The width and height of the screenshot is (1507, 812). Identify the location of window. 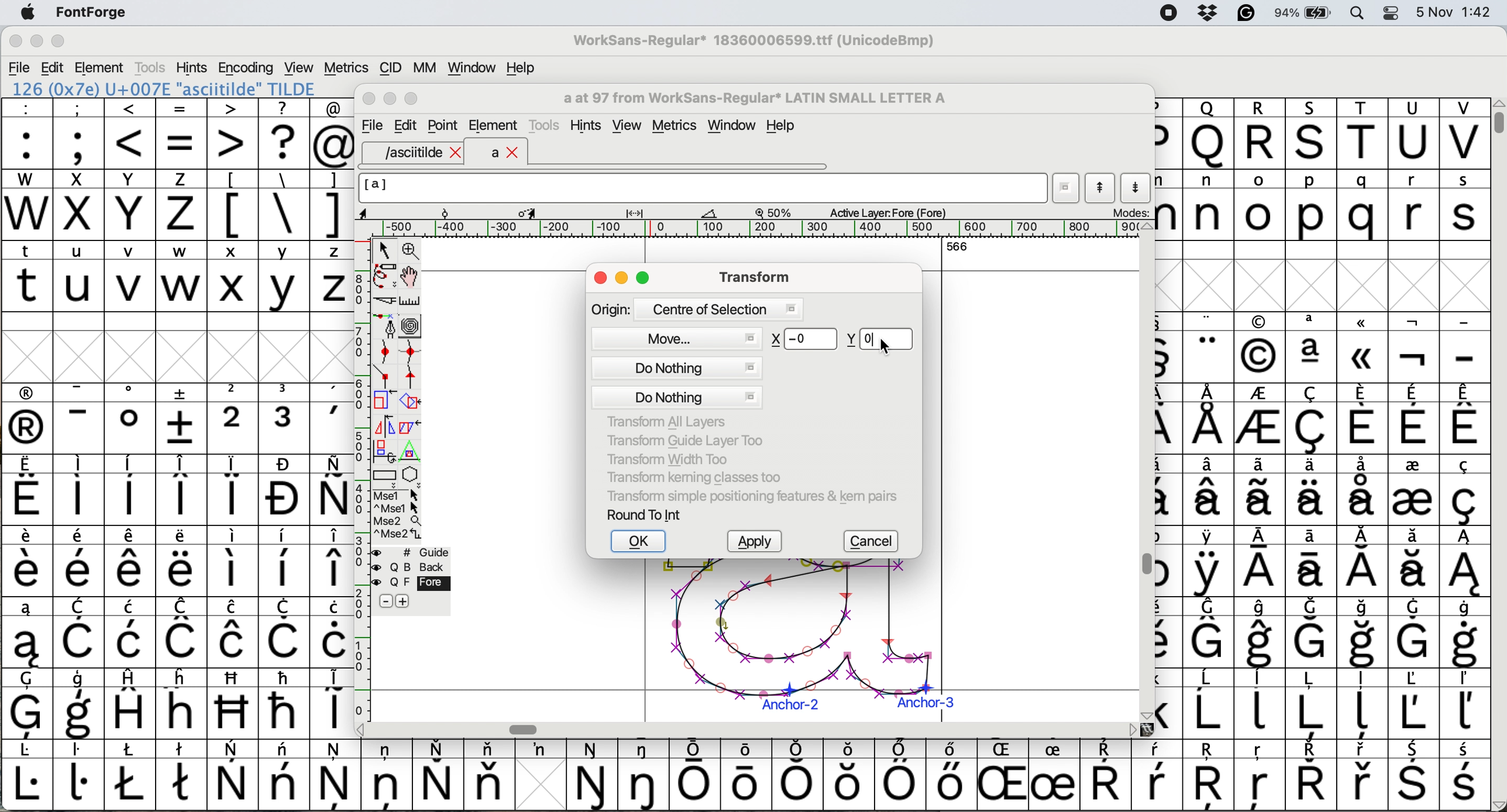
(469, 68).